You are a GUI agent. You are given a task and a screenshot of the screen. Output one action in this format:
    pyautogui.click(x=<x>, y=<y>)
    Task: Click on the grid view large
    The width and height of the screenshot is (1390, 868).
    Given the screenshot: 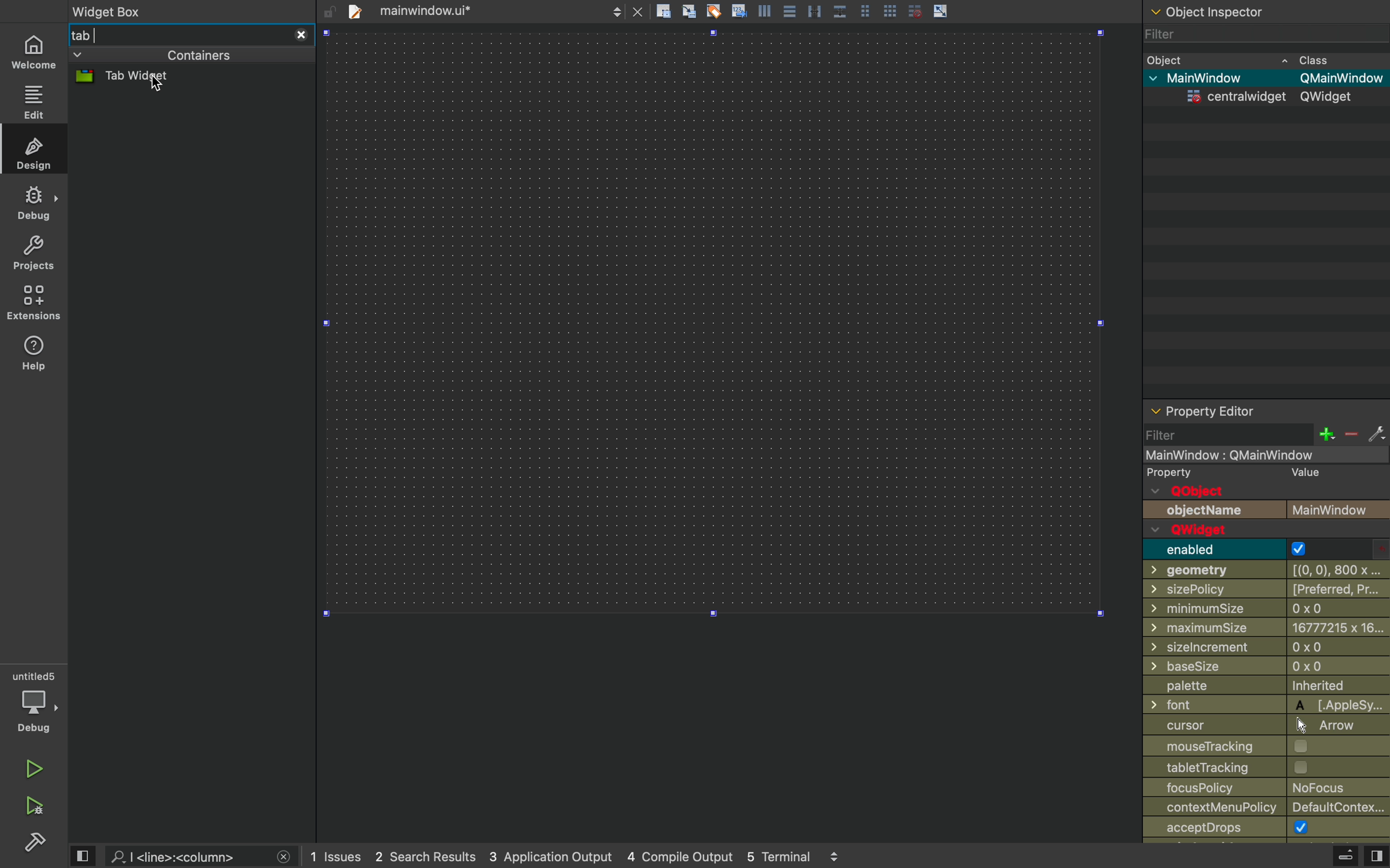 What is the action you would take?
    pyautogui.click(x=889, y=10)
    